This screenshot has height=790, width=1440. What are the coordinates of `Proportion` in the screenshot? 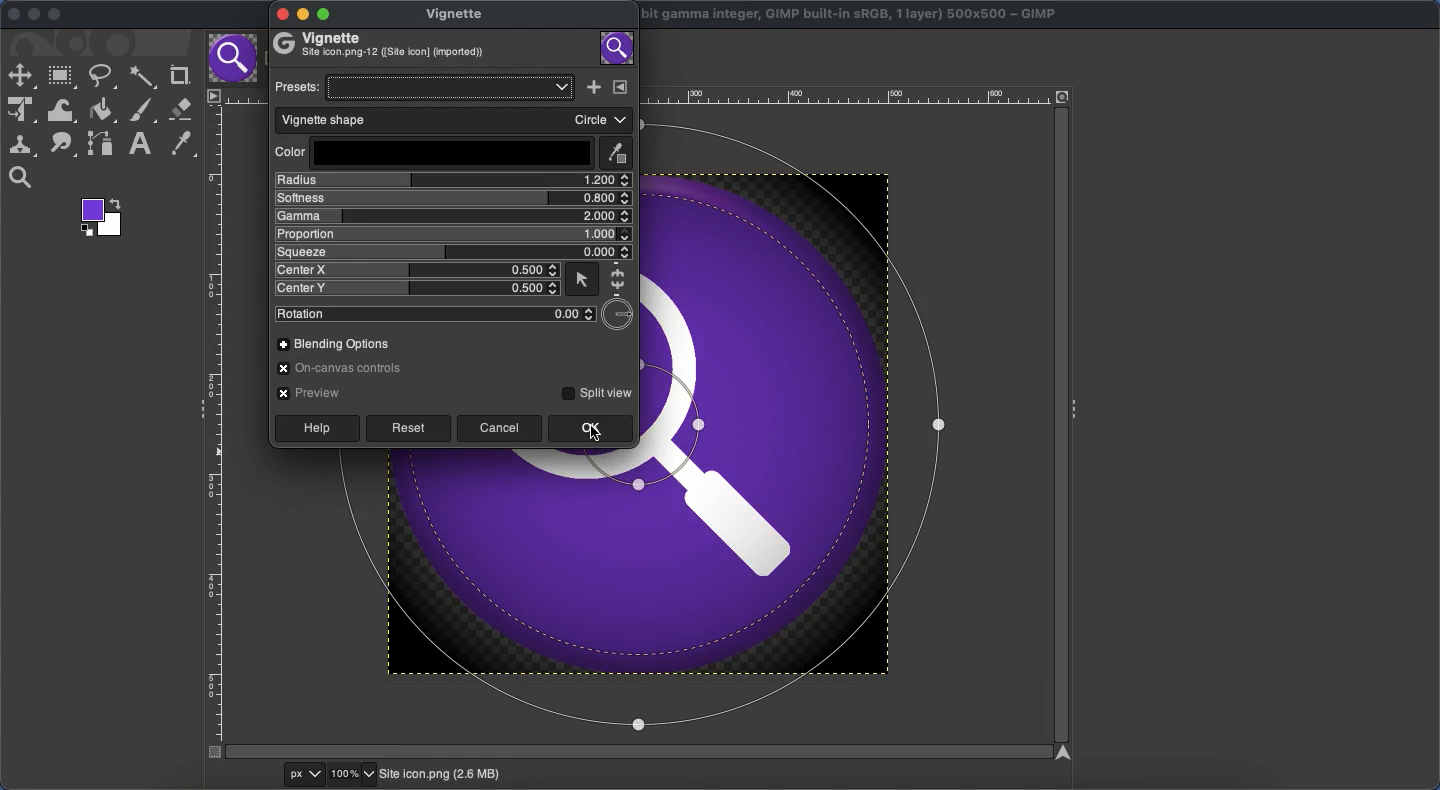 It's located at (451, 234).